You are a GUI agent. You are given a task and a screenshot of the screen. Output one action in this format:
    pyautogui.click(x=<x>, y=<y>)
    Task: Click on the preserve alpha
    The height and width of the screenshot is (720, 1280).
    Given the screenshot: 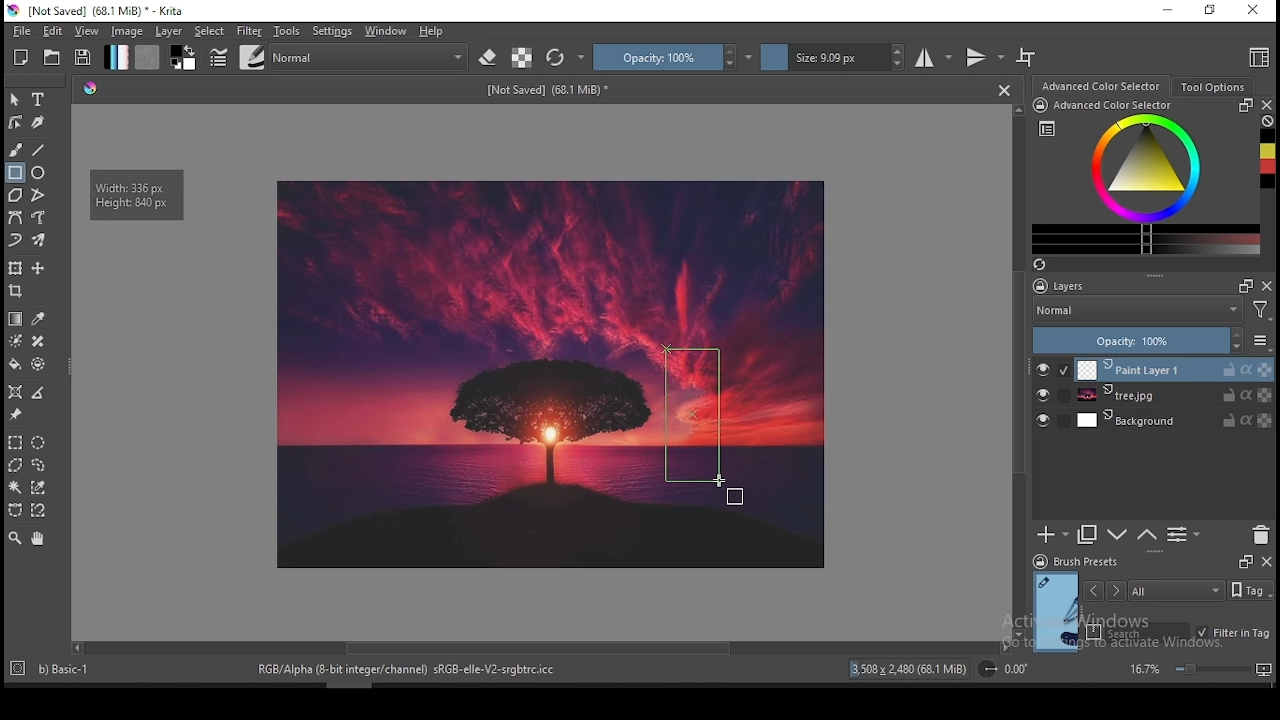 What is the action you would take?
    pyautogui.click(x=522, y=58)
    